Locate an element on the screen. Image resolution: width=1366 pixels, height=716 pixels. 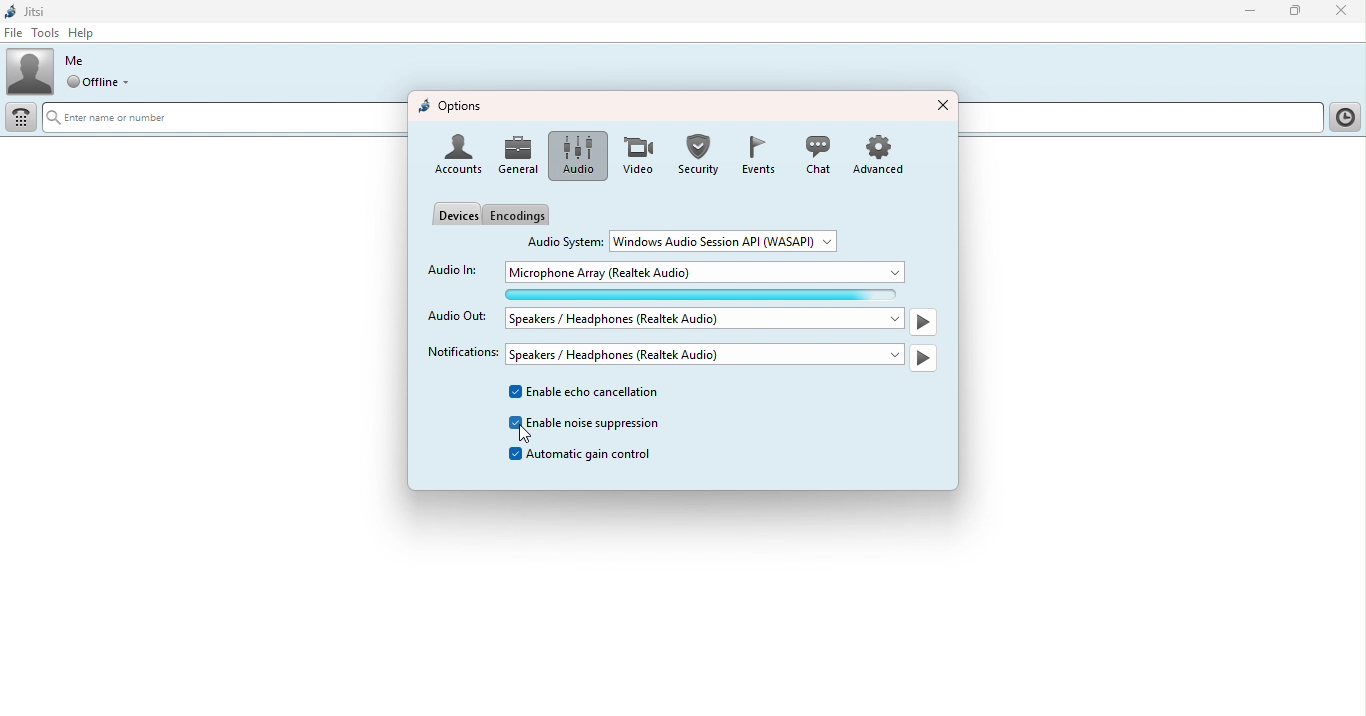
enter name or number is located at coordinates (1140, 119).